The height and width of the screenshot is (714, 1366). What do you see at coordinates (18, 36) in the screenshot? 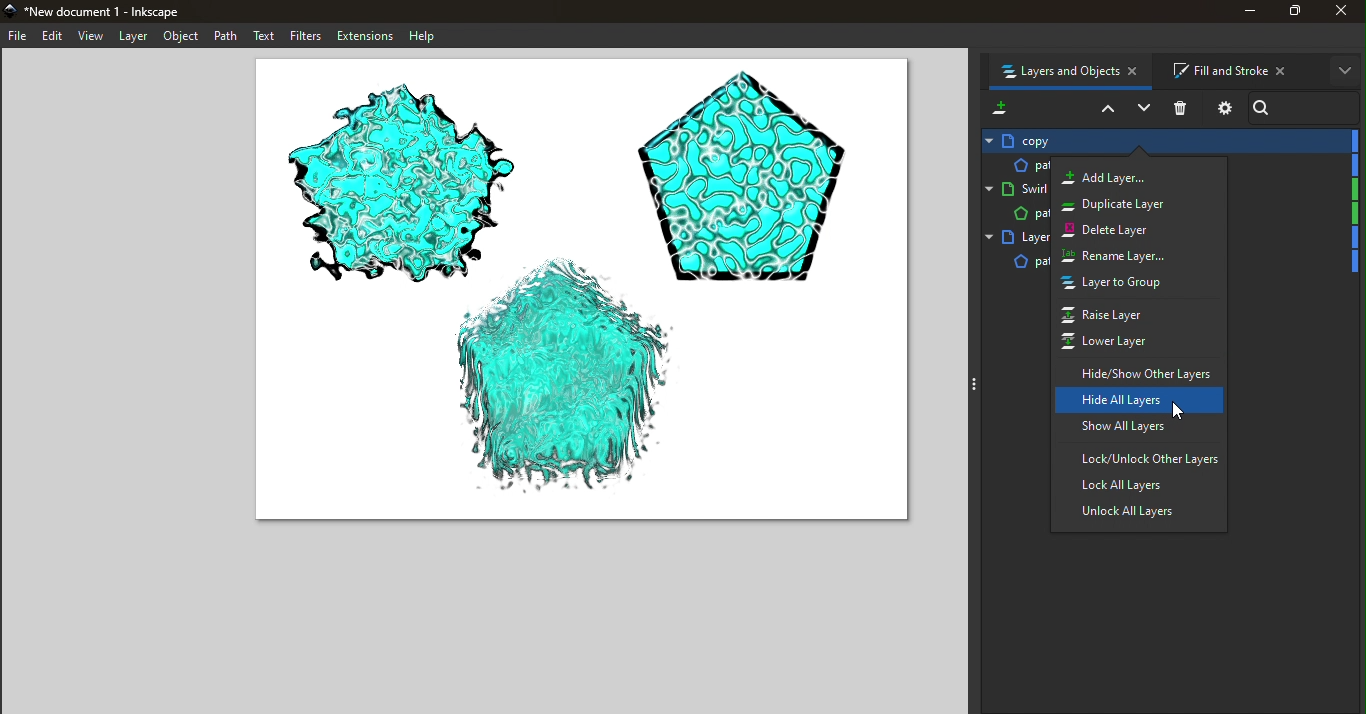
I see `File` at bounding box center [18, 36].